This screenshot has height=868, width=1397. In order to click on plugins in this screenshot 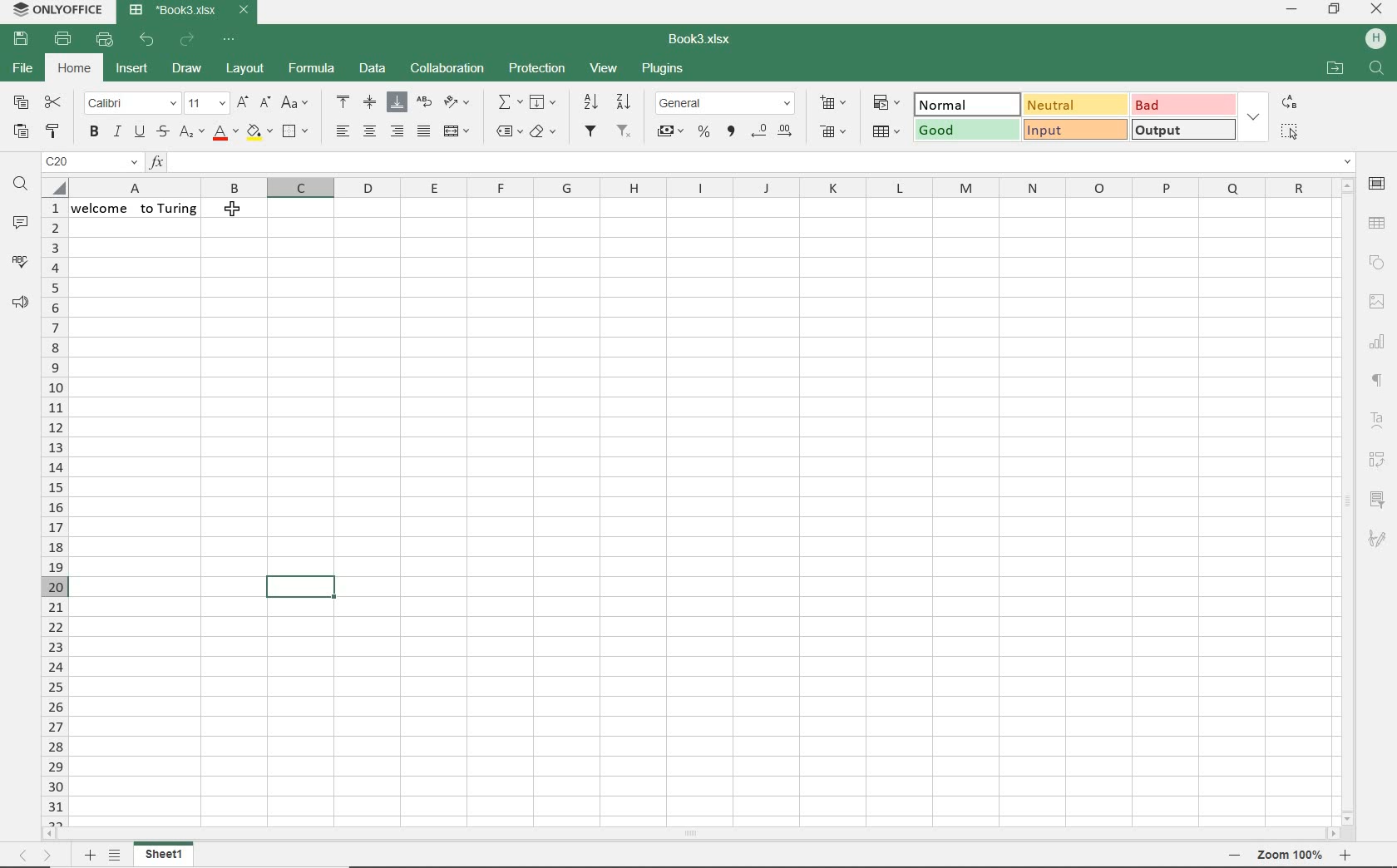, I will do `click(664, 69)`.